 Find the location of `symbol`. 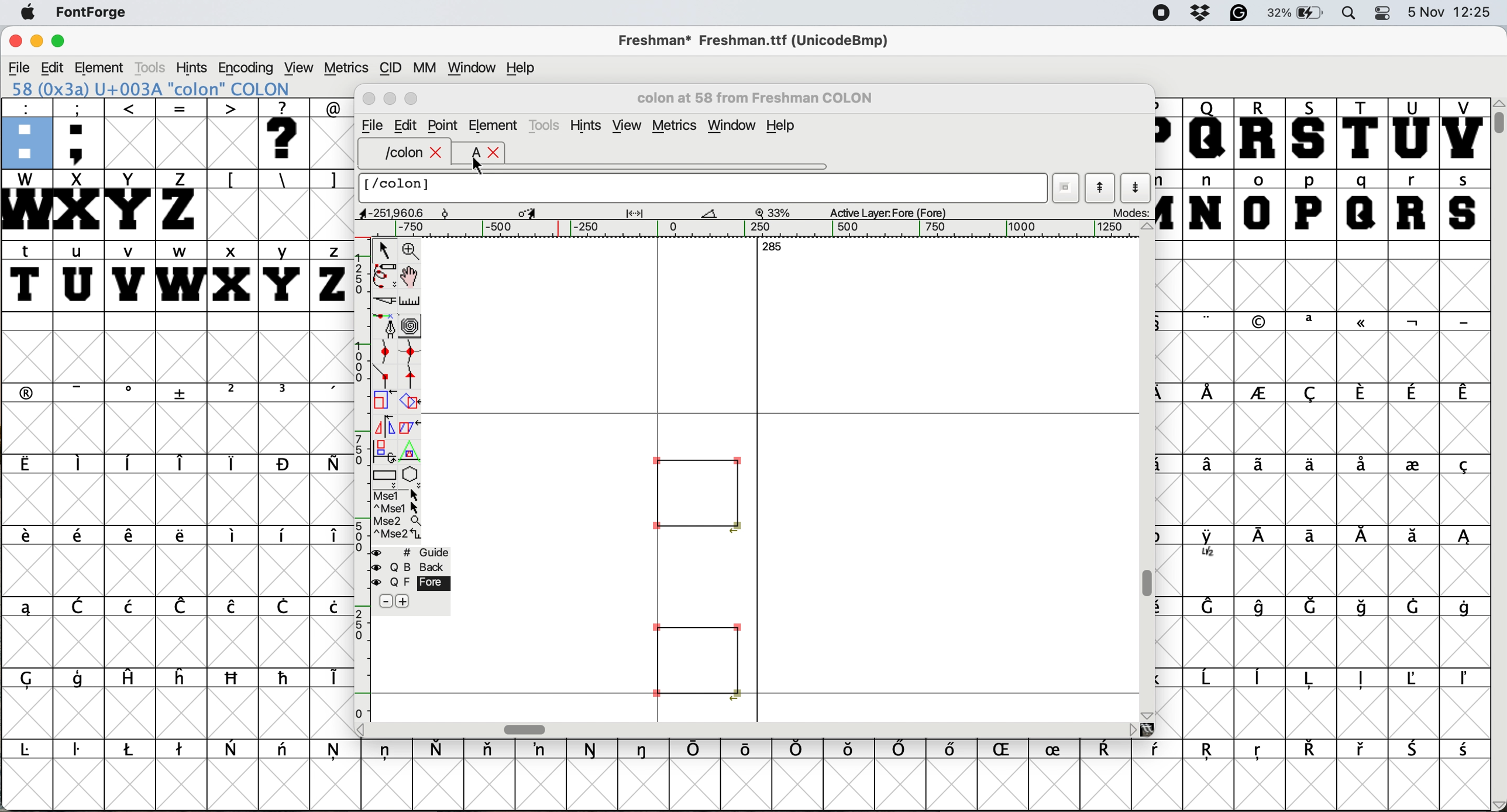

symbol is located at coordinates (1412, 393).